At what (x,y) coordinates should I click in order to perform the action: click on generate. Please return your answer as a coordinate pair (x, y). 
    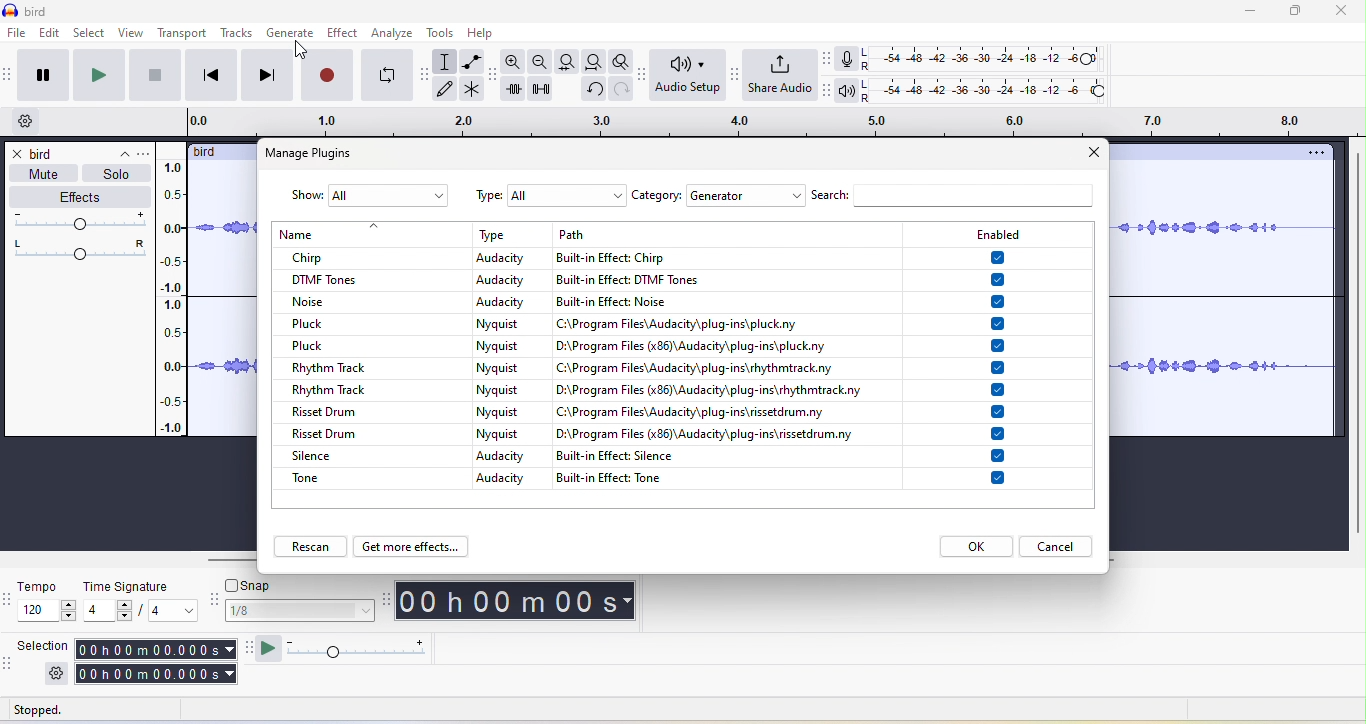
    Looking at the image, I should click on (294, 35).